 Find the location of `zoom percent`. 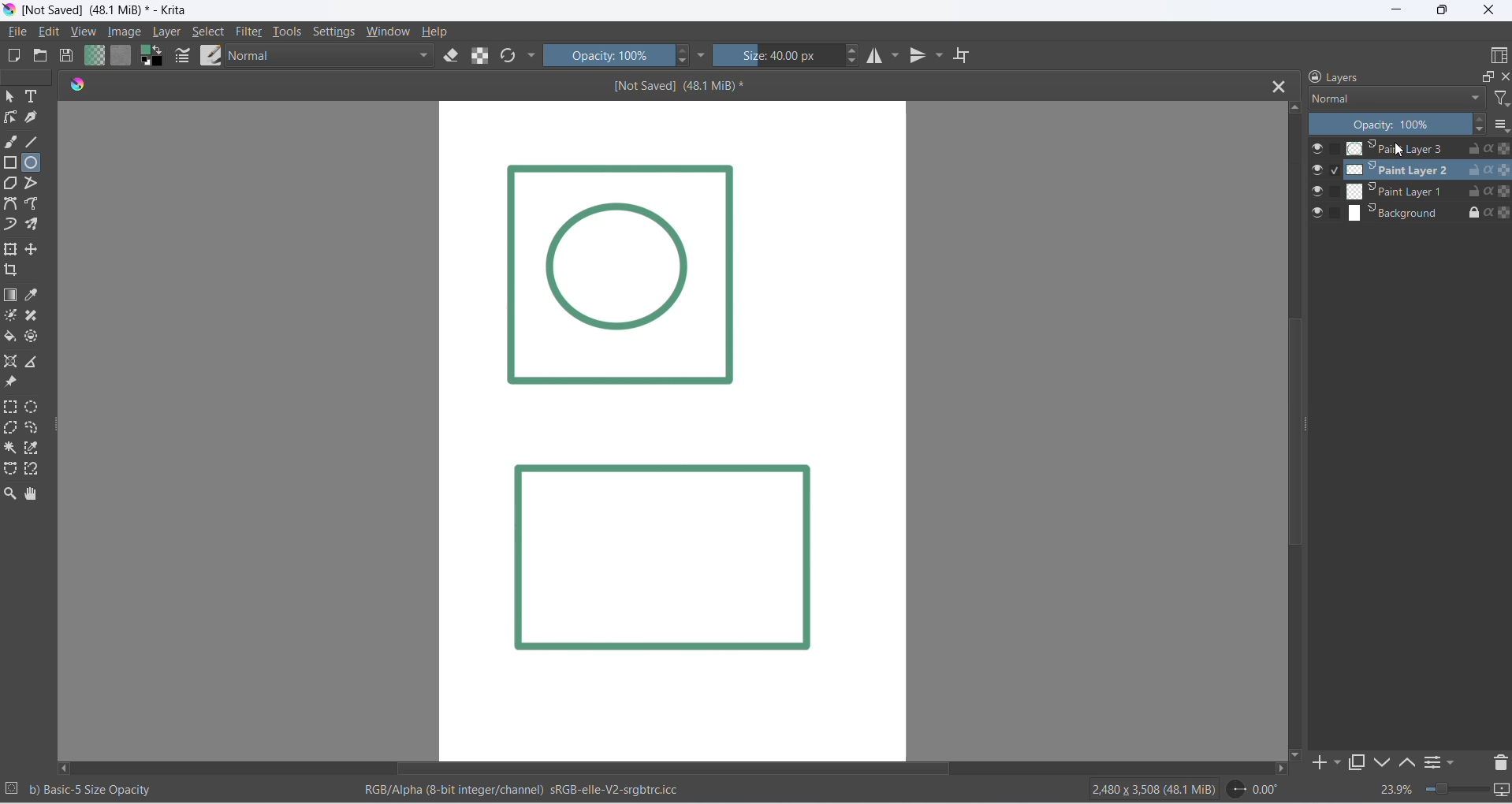

zoom percent is located at coordinates (1396, 791).